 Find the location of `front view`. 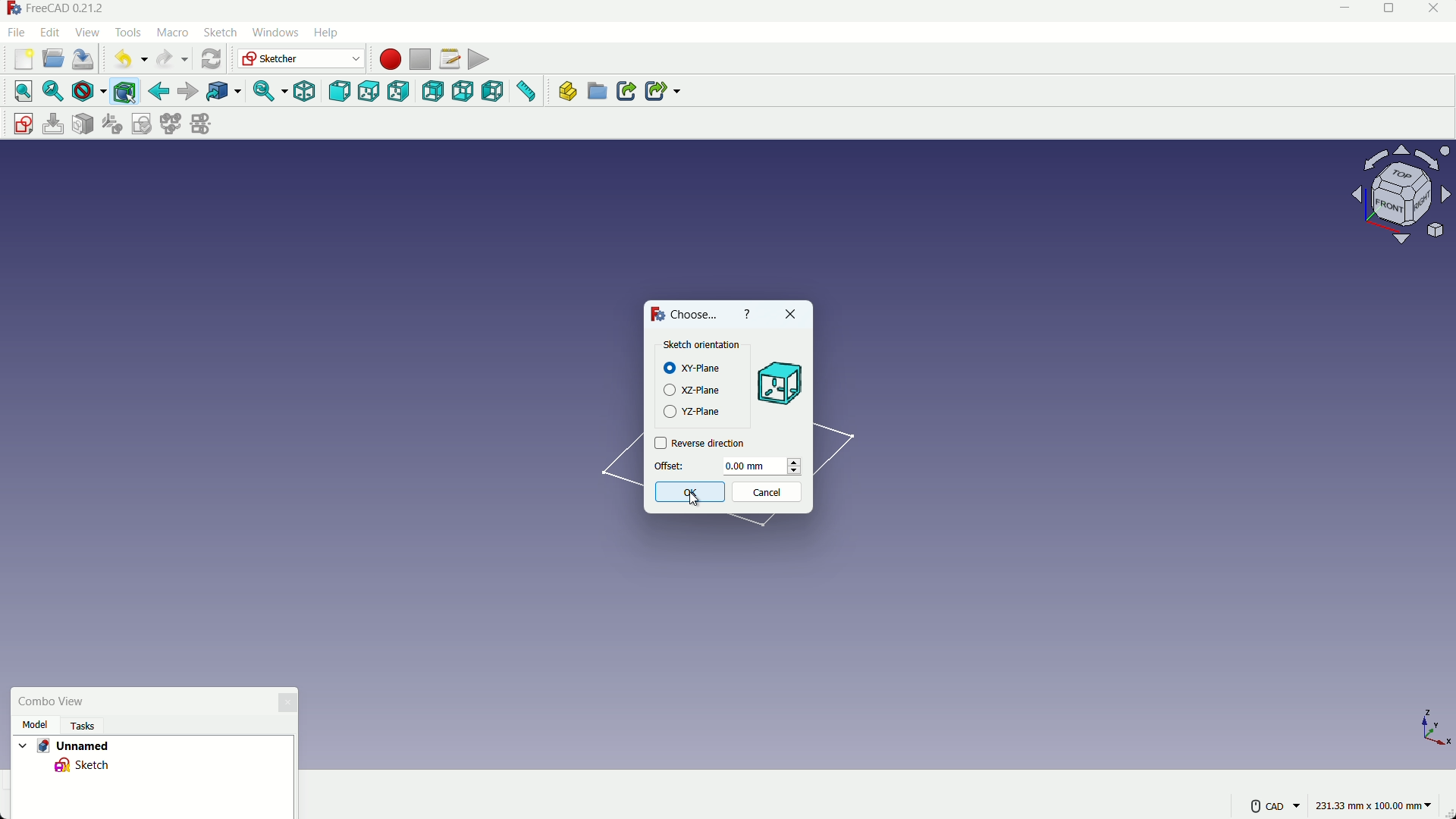

front view is located at coordinates (338, 93).